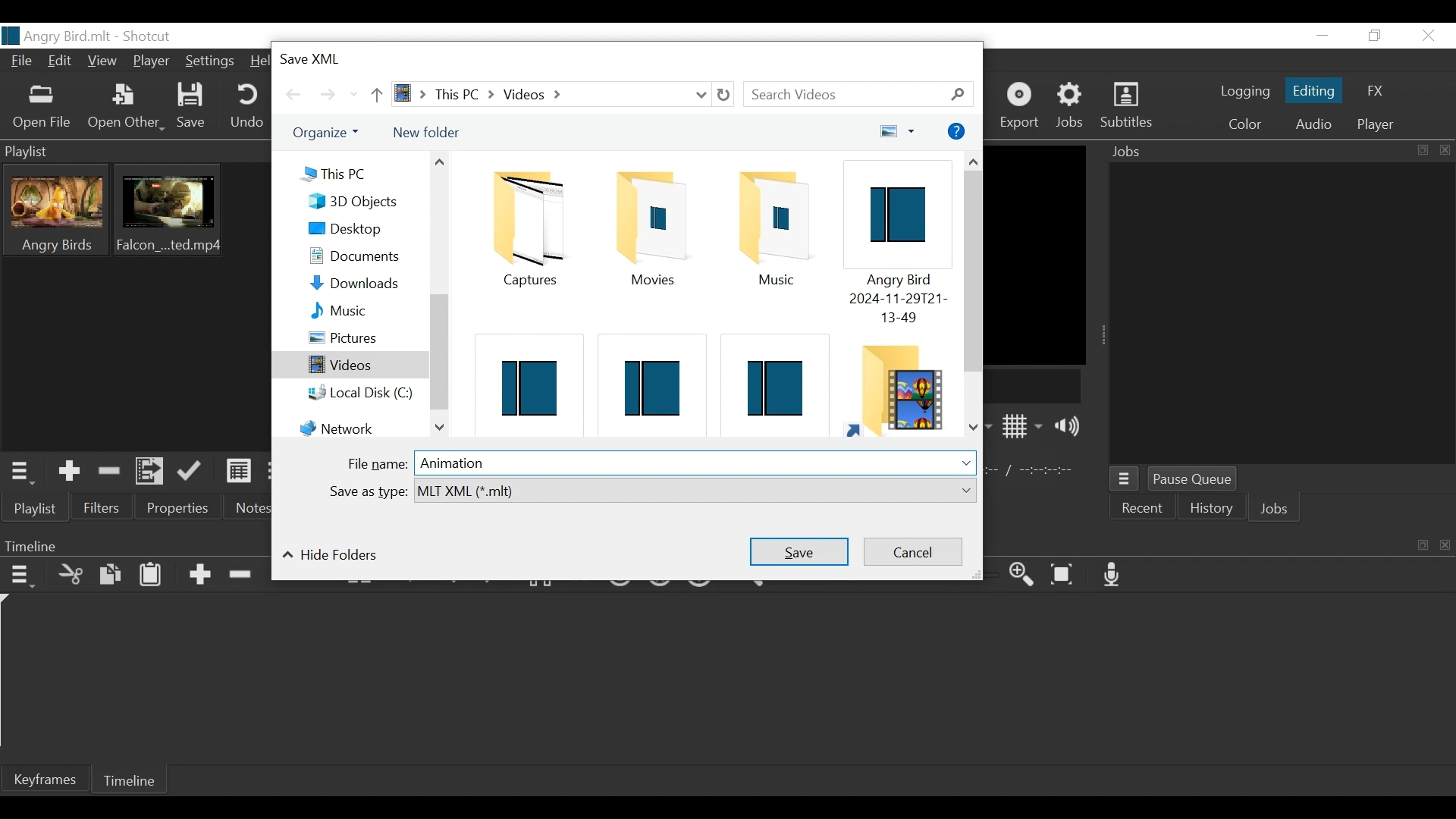 The width and height of the screenshot is (1456, 819). What do you see at coordinates (1072, 427) in the screenshot?
I see `Show volume control` at bounding box center [1072, 427].